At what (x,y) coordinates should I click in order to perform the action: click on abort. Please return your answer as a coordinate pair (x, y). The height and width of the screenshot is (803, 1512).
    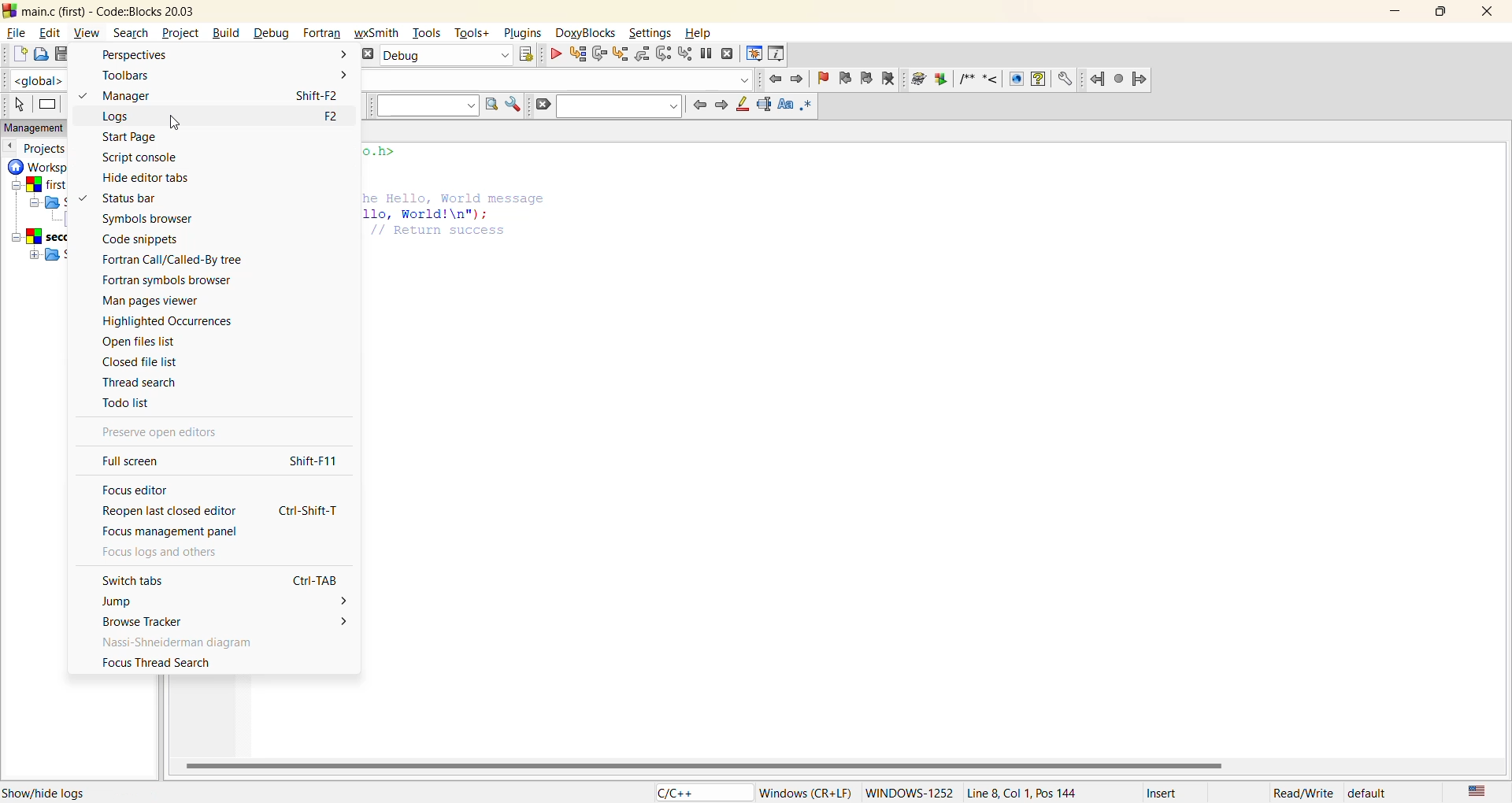
    Looking at the image, I should click on (367, 54).